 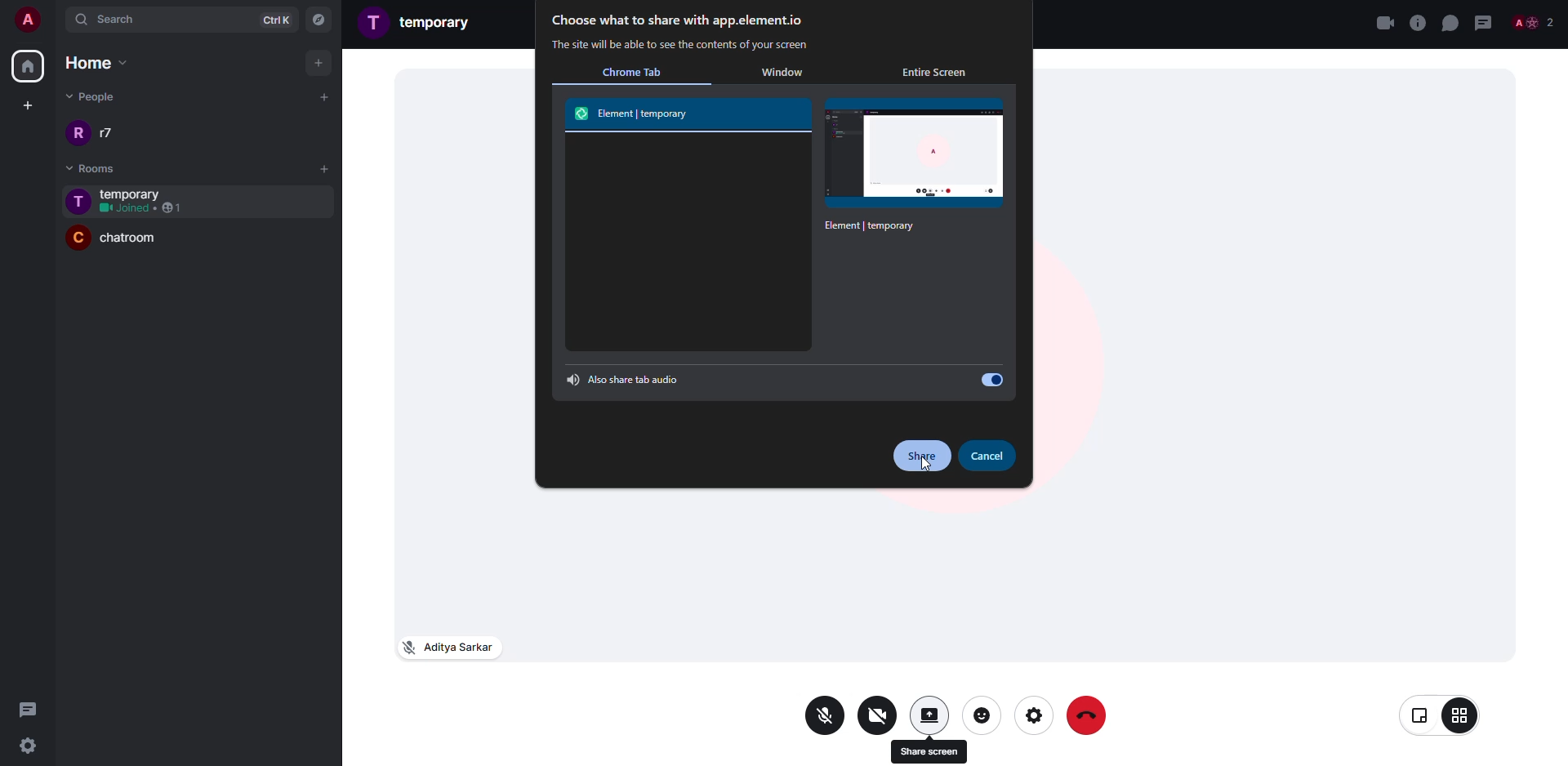 What do you see at coordinates (1450, 22) in the screenshot?
I see `chat` at bounding box center [1450, 22].